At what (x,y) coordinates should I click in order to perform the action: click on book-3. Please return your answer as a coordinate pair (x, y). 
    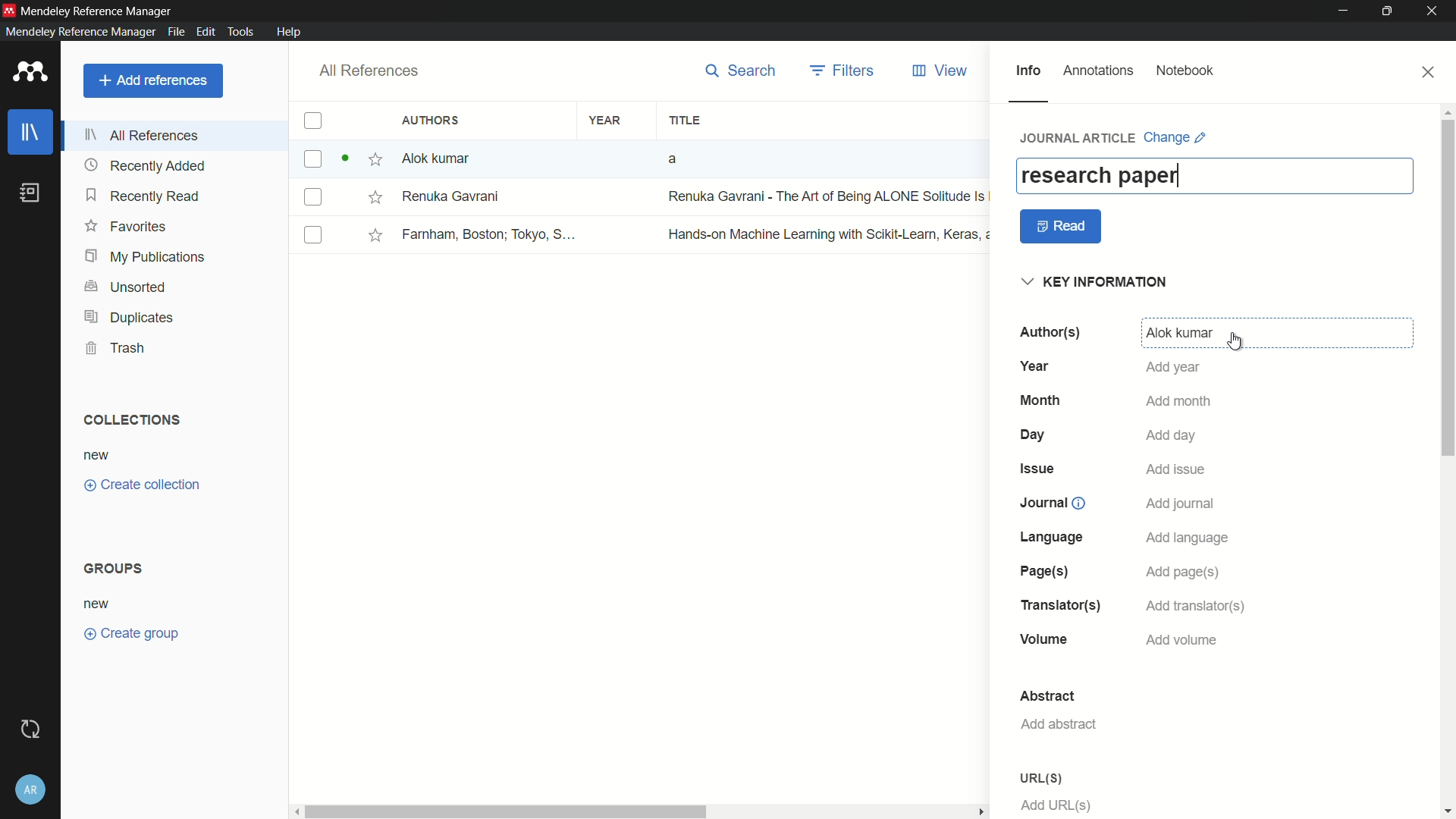
    Looking at the image, I should click on (643, 234).